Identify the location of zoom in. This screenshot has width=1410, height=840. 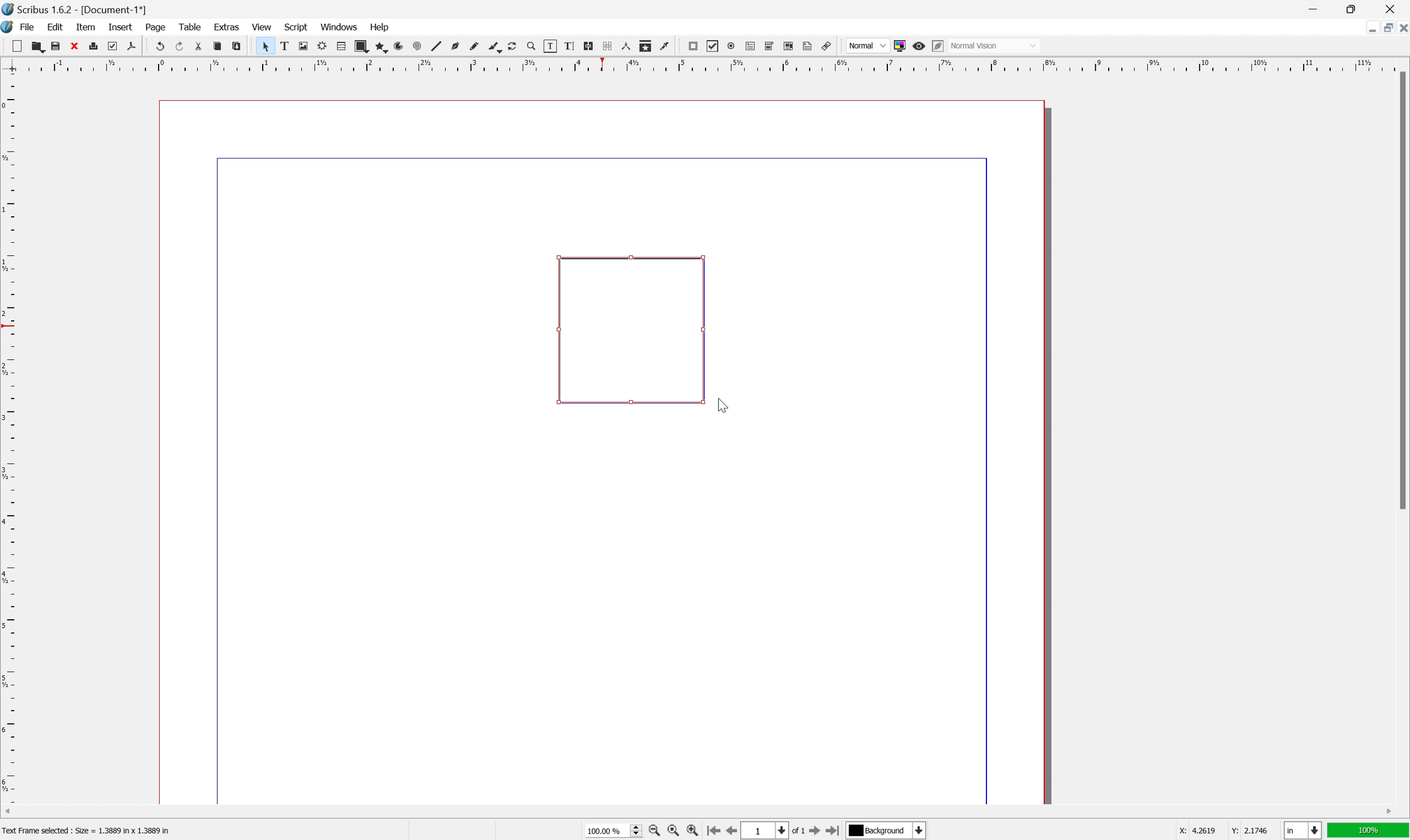
(692, 830).